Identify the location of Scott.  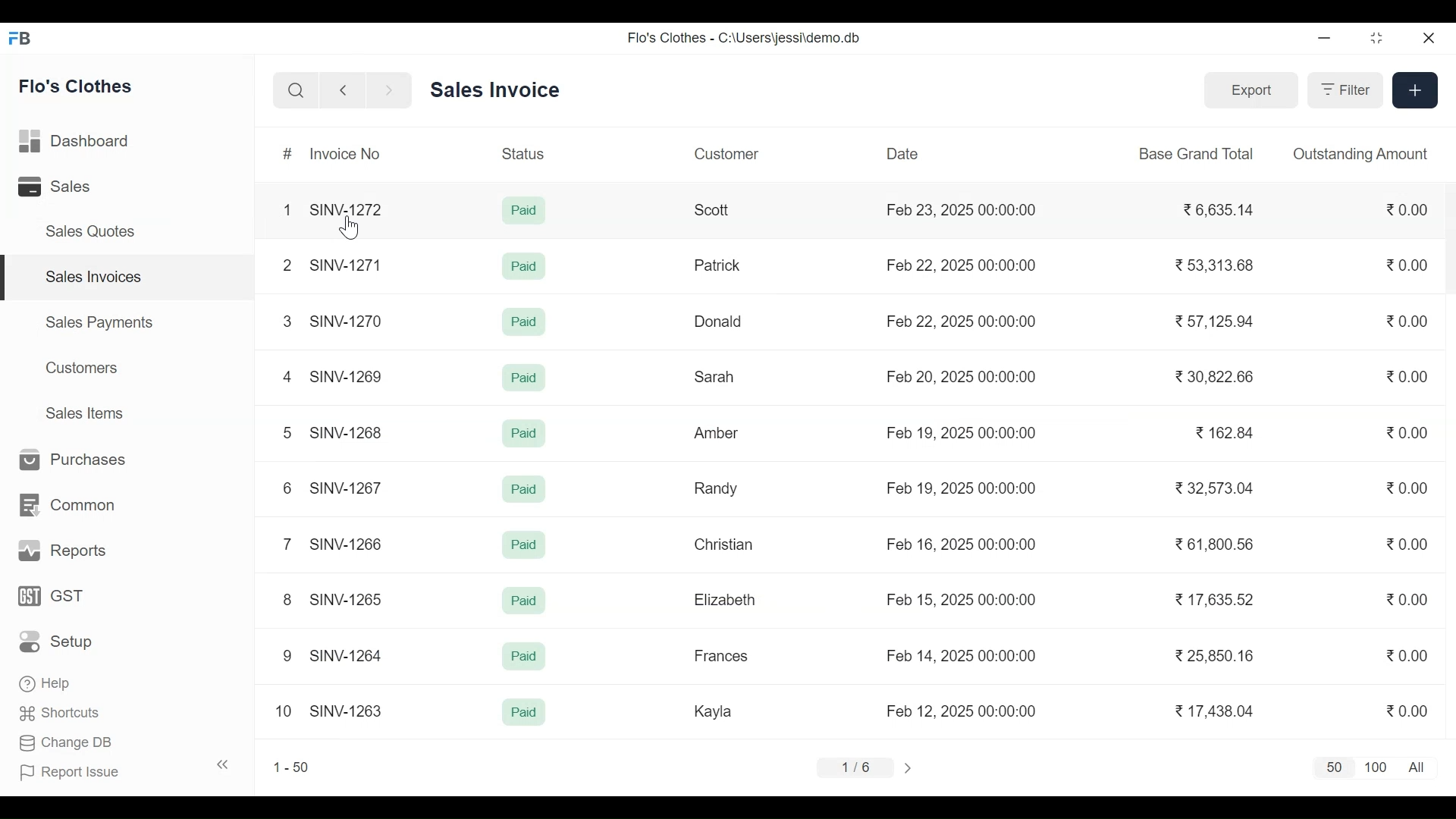
(713, 211).